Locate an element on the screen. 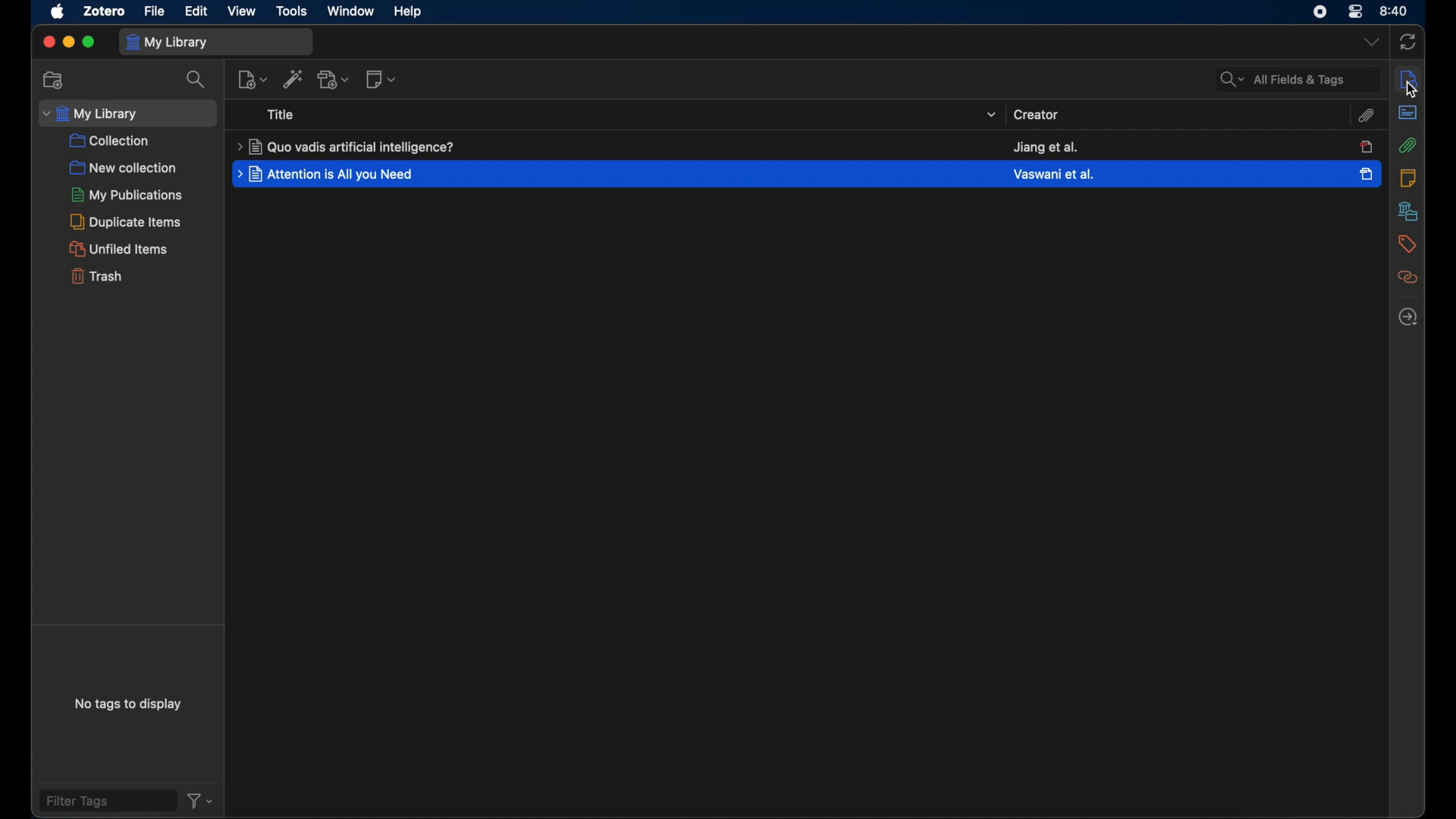 Image resolution: width=1456 pixels, height=819 pixels. title is located at coordinates (281, 115).